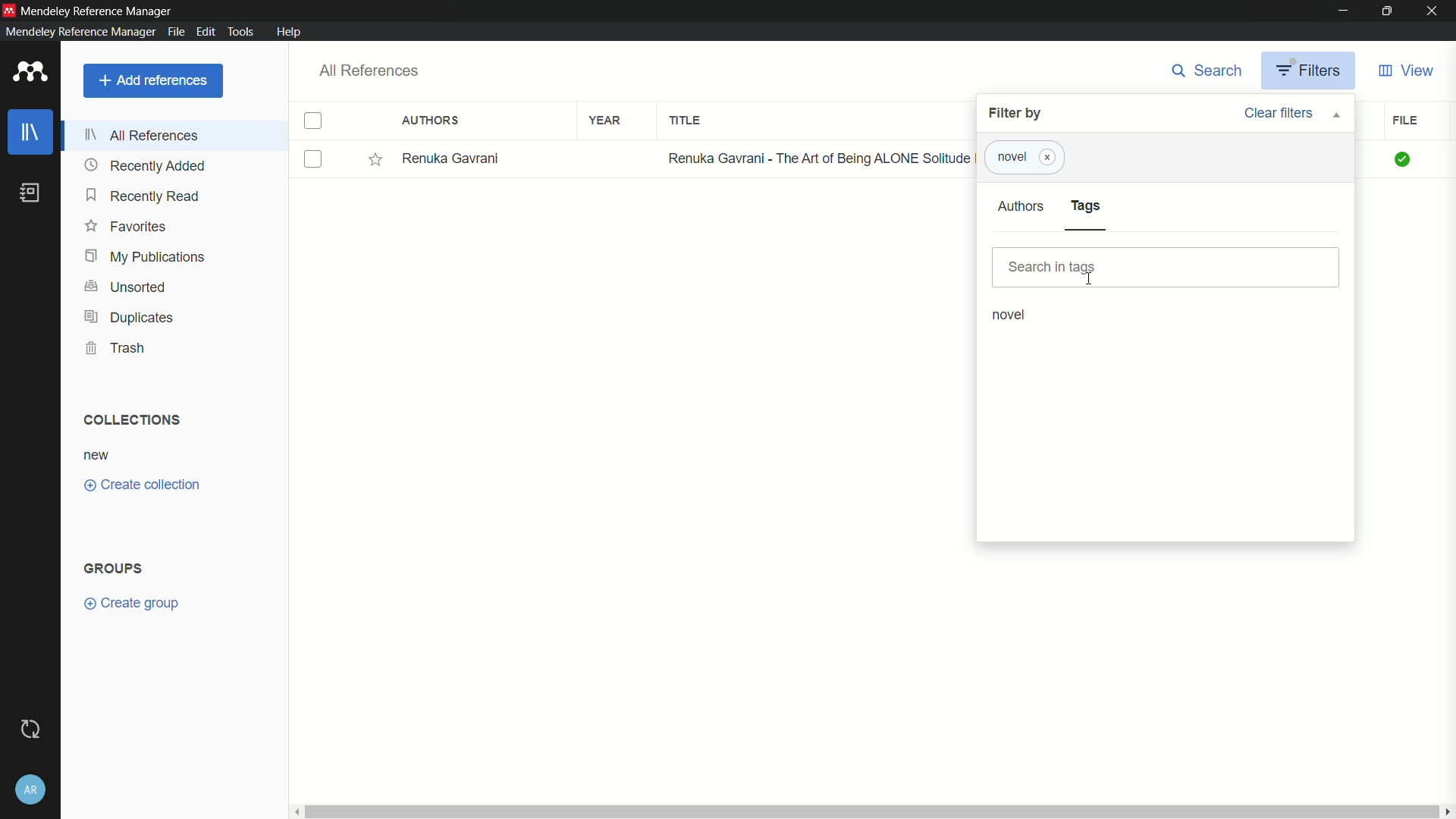 This screenshot has width=1456, height=819. Describe the element at coordinates (79, 32) in the screenshot. I see `mendeley reference manager` at that location.